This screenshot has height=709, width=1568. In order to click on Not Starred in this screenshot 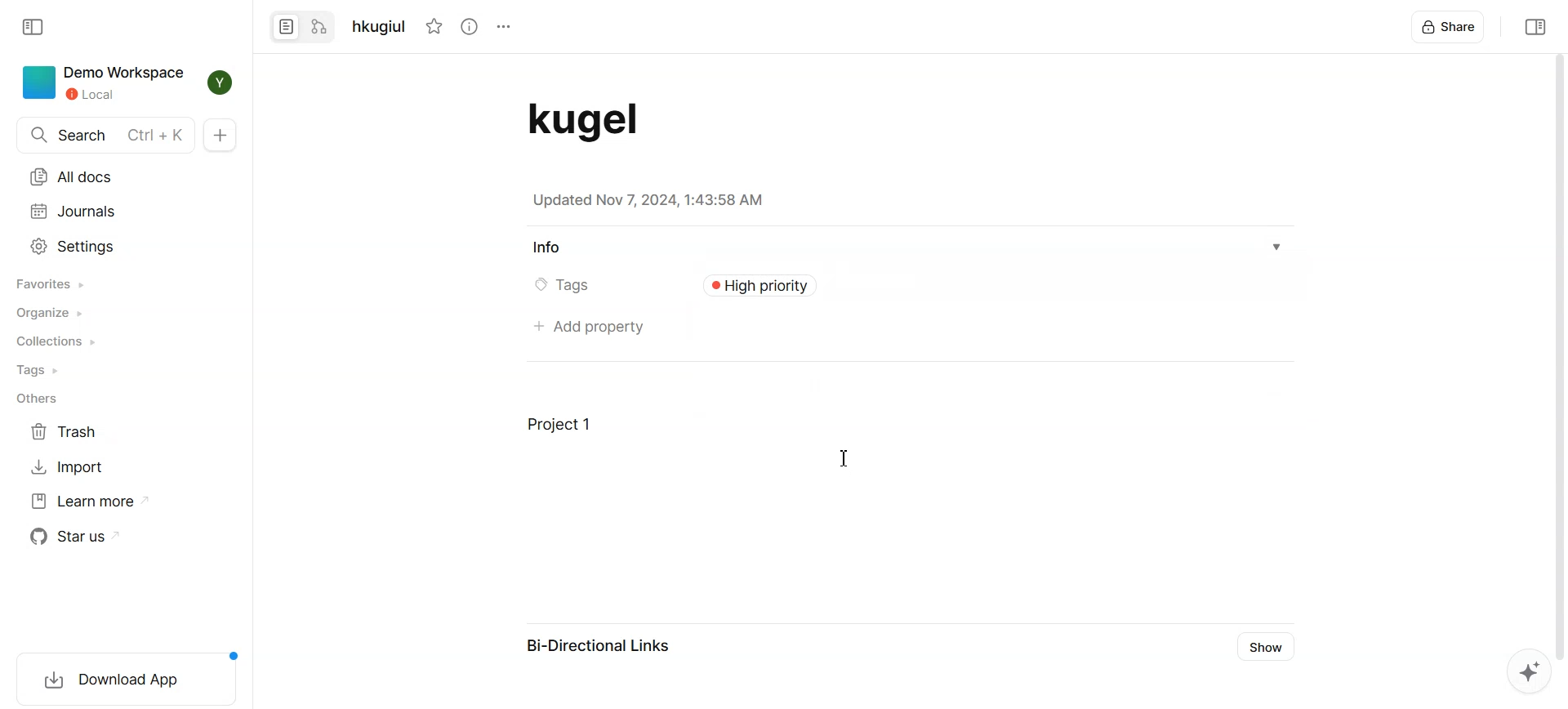, I will do `click(435, 26)`.